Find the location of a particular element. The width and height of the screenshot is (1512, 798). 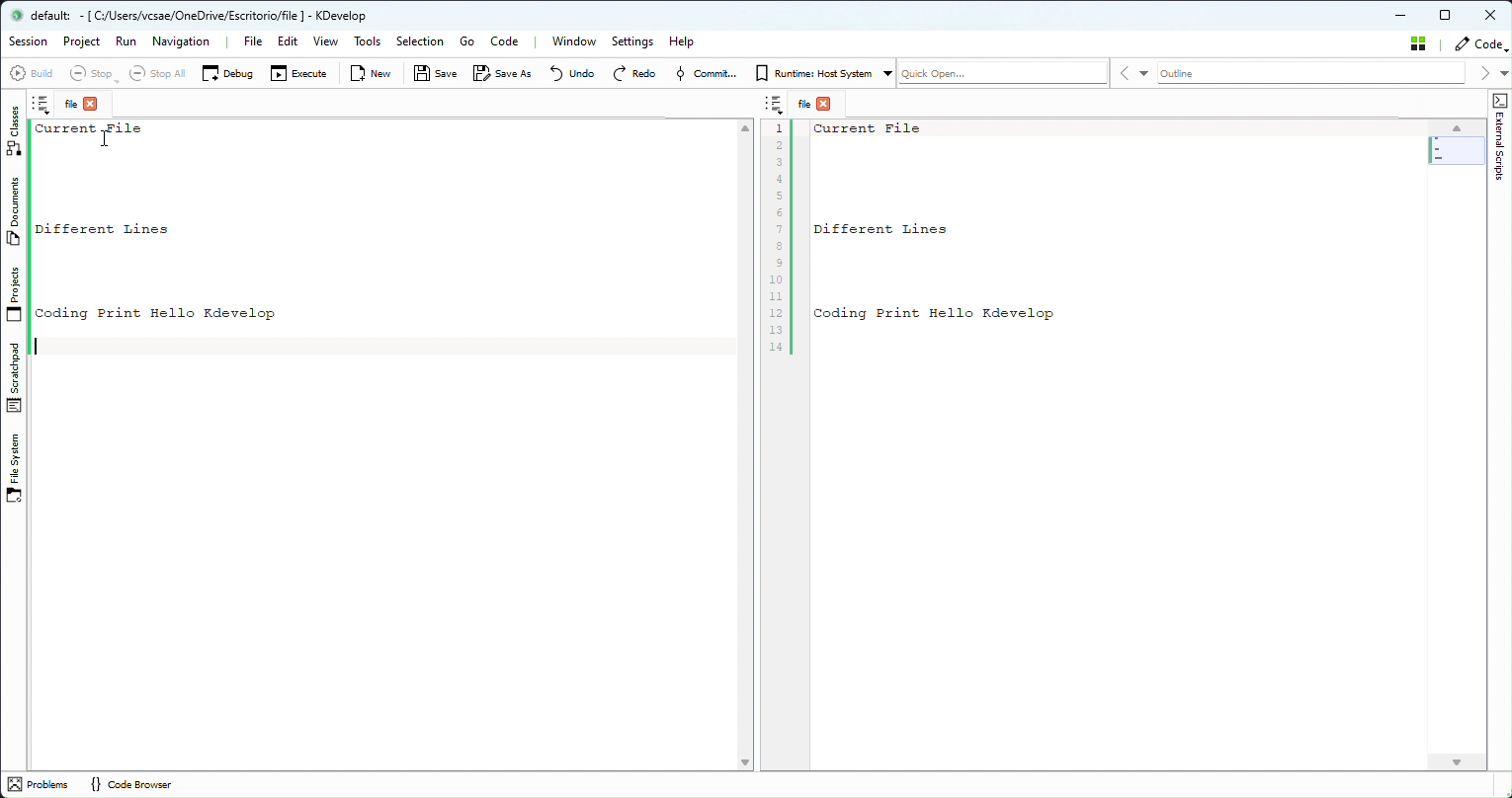

Navigation is located at coordinates (190, 42).